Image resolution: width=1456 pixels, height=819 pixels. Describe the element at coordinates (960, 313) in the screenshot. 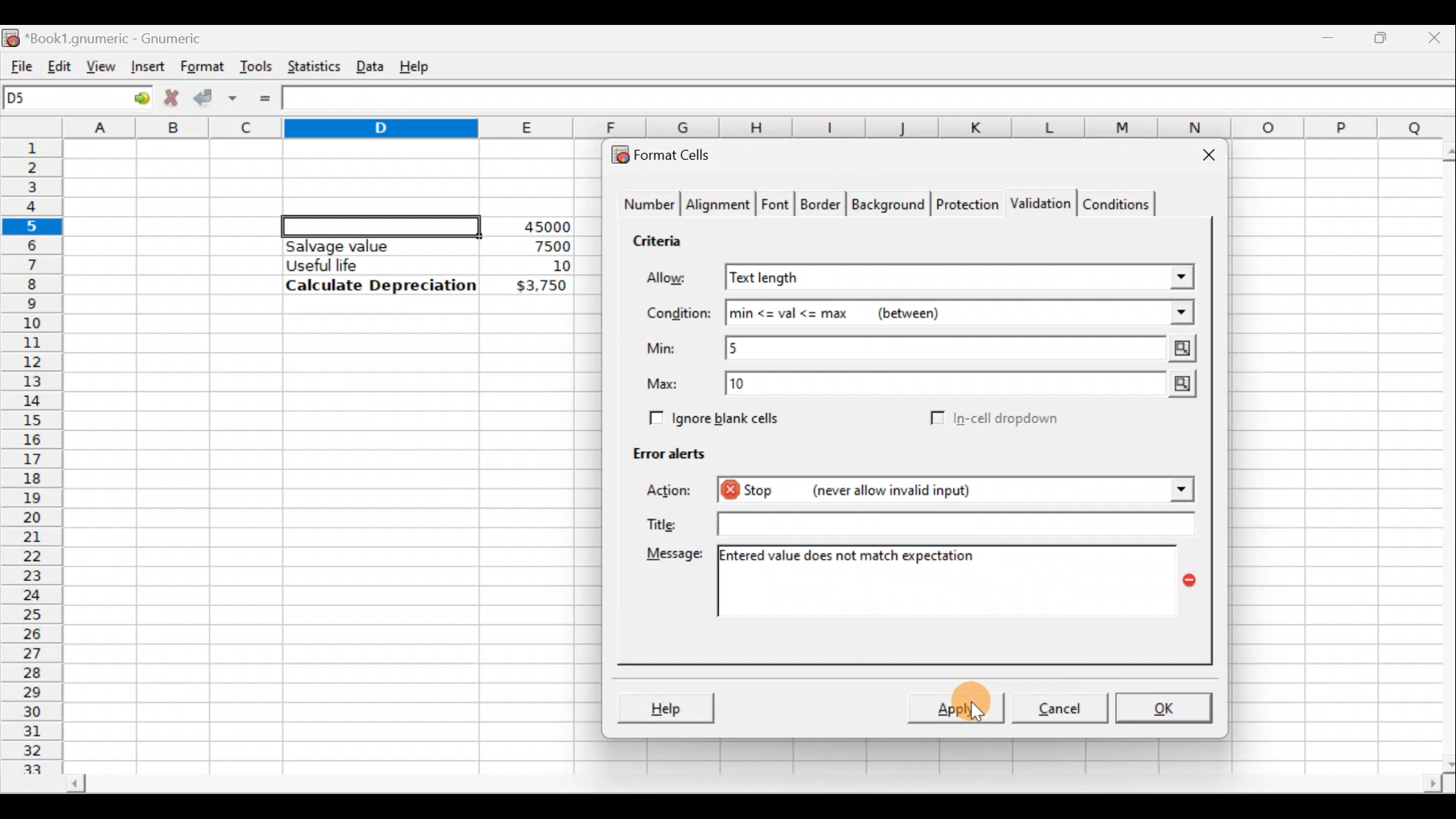

I see `min<=val<=max (between)` at that location.